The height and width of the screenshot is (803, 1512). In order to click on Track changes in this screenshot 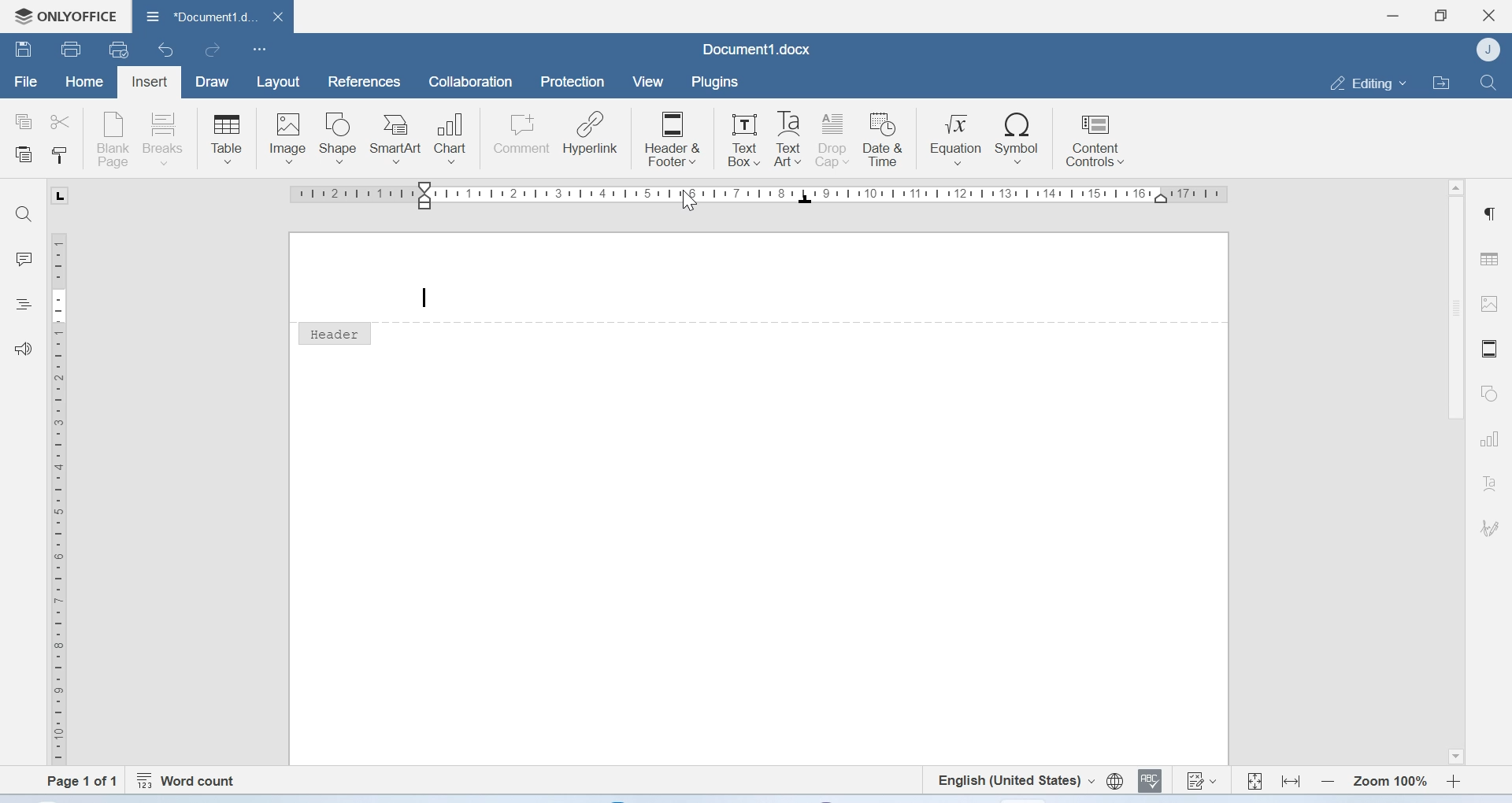, I will do `click(1203, 783)`.